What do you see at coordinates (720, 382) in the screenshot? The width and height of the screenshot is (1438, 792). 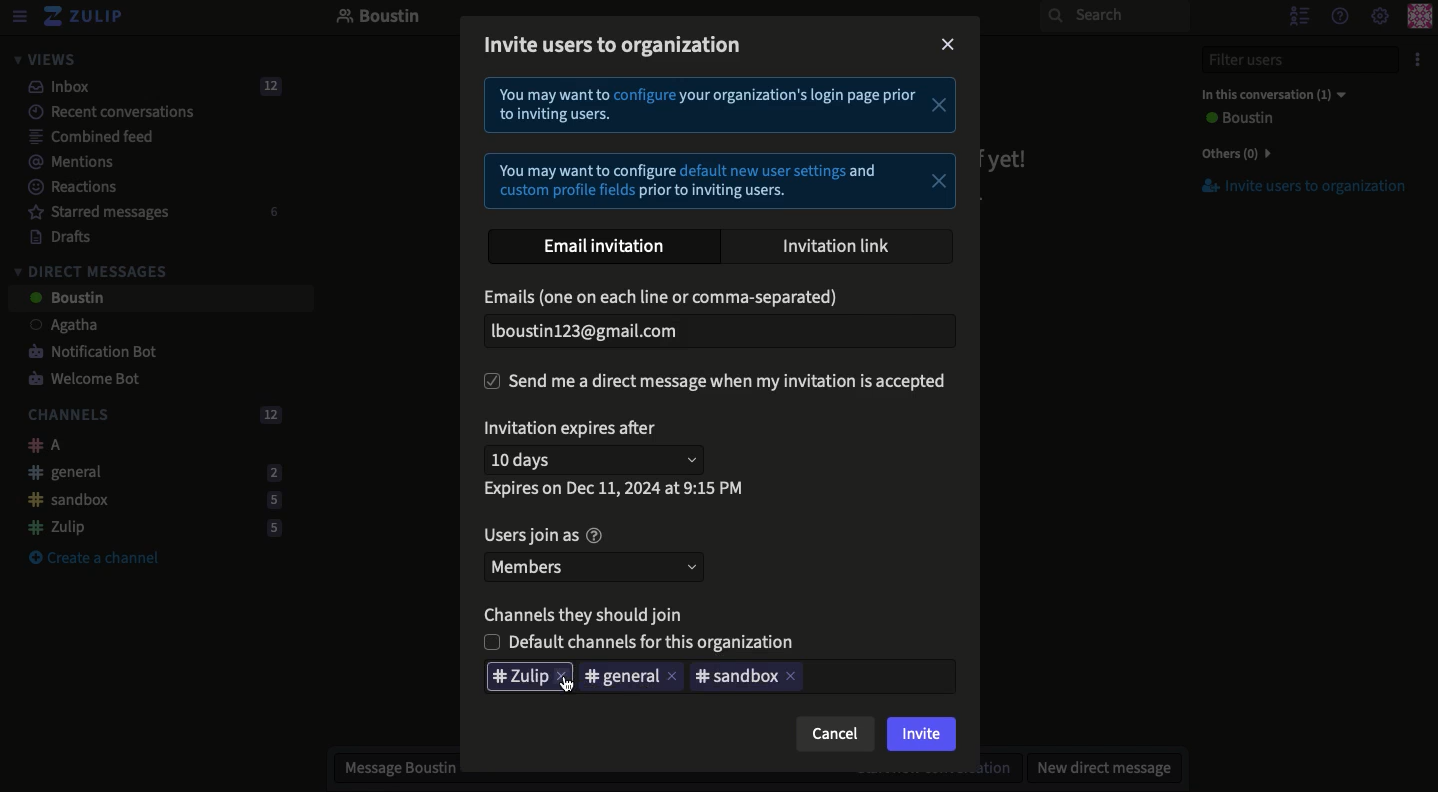 I see `Send DM when invitation is accepted` at bounding box center [720, 382].